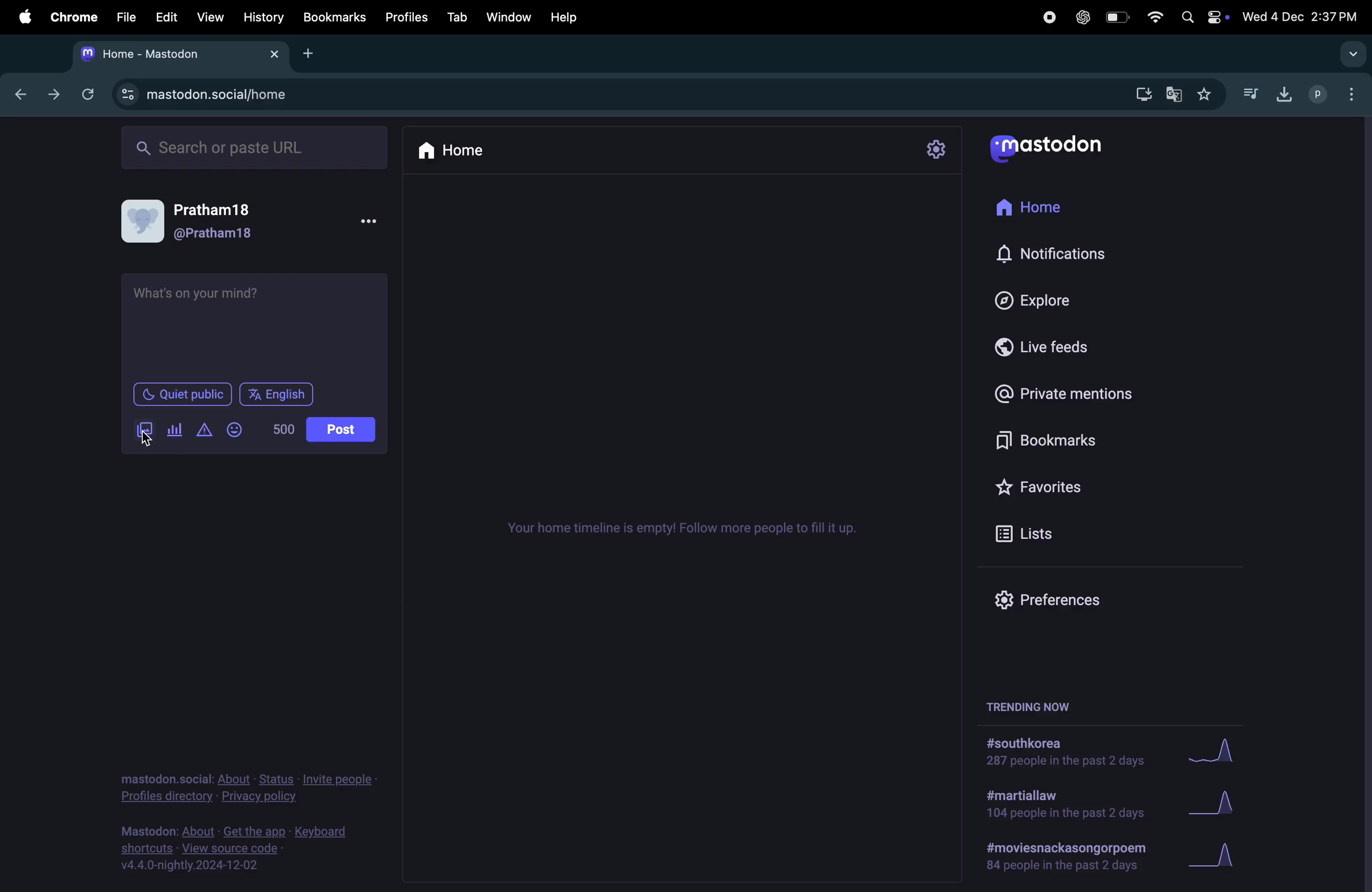  I want to click on Bookmarks, so click(336, 18).